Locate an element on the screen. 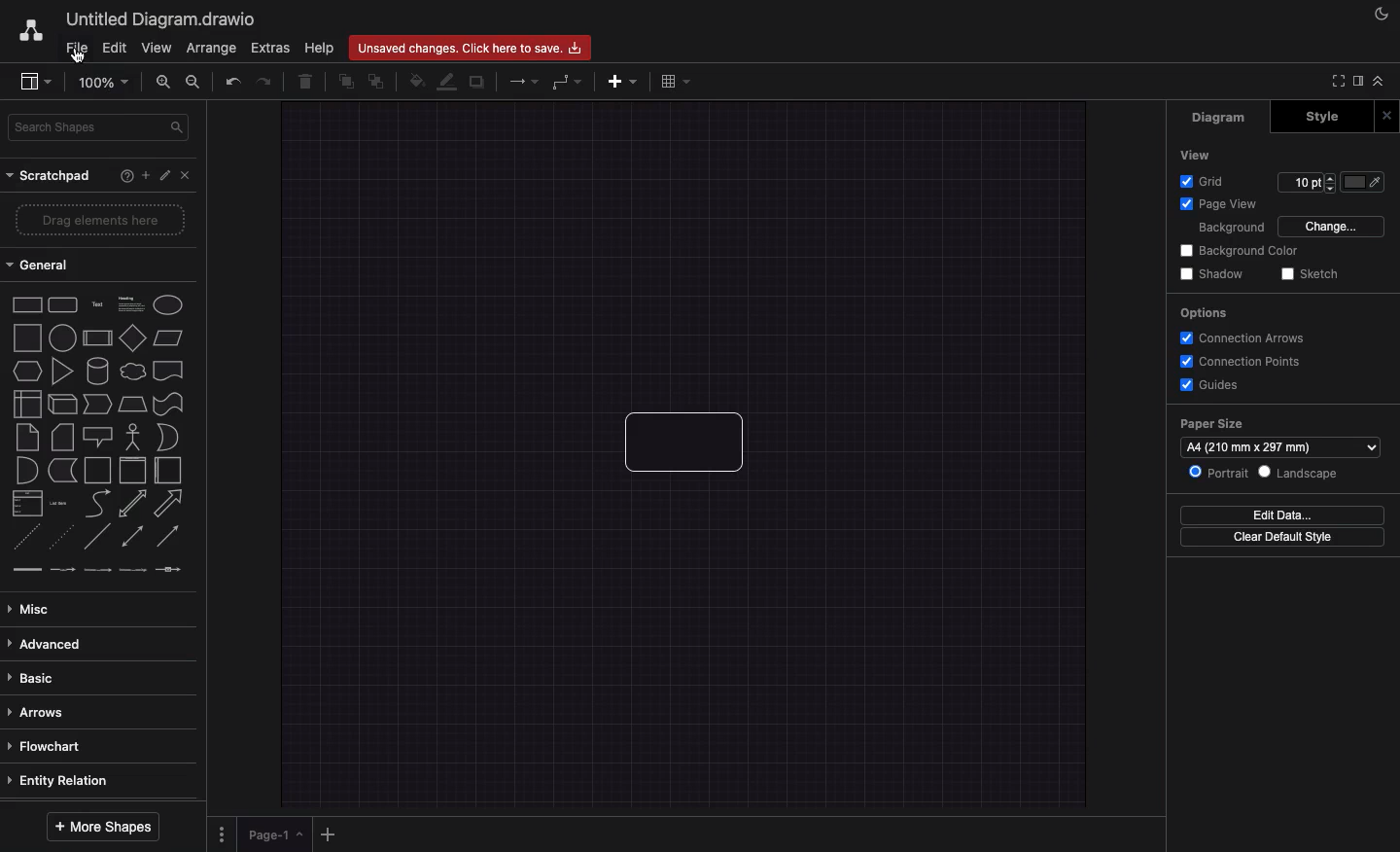 The image size is (1400, 852). Fill is located at coordinates (1370, 183).